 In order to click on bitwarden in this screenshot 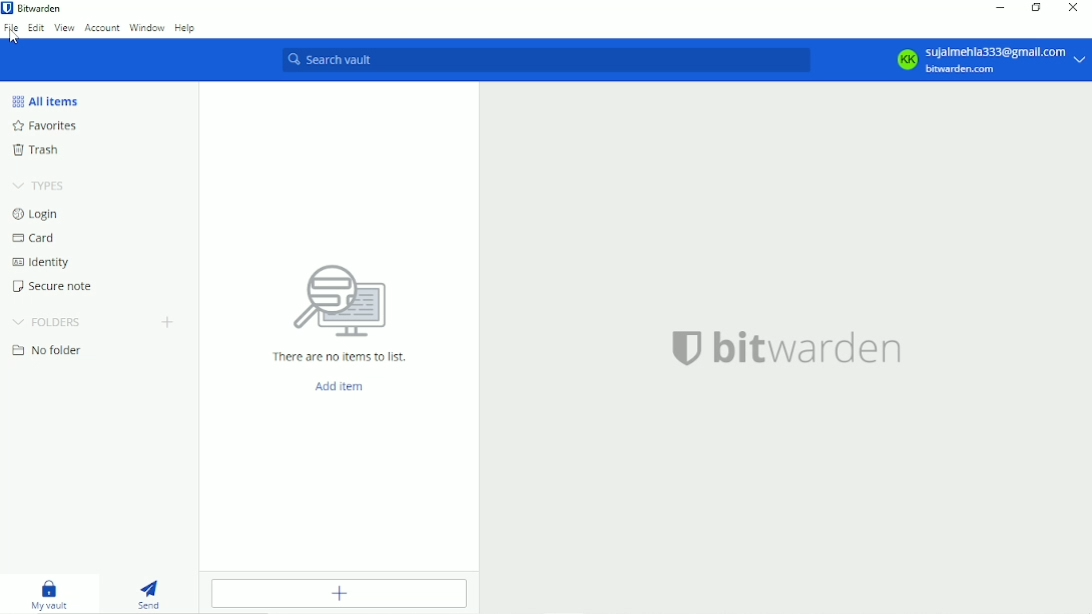, I will do `click(784, 347)`.